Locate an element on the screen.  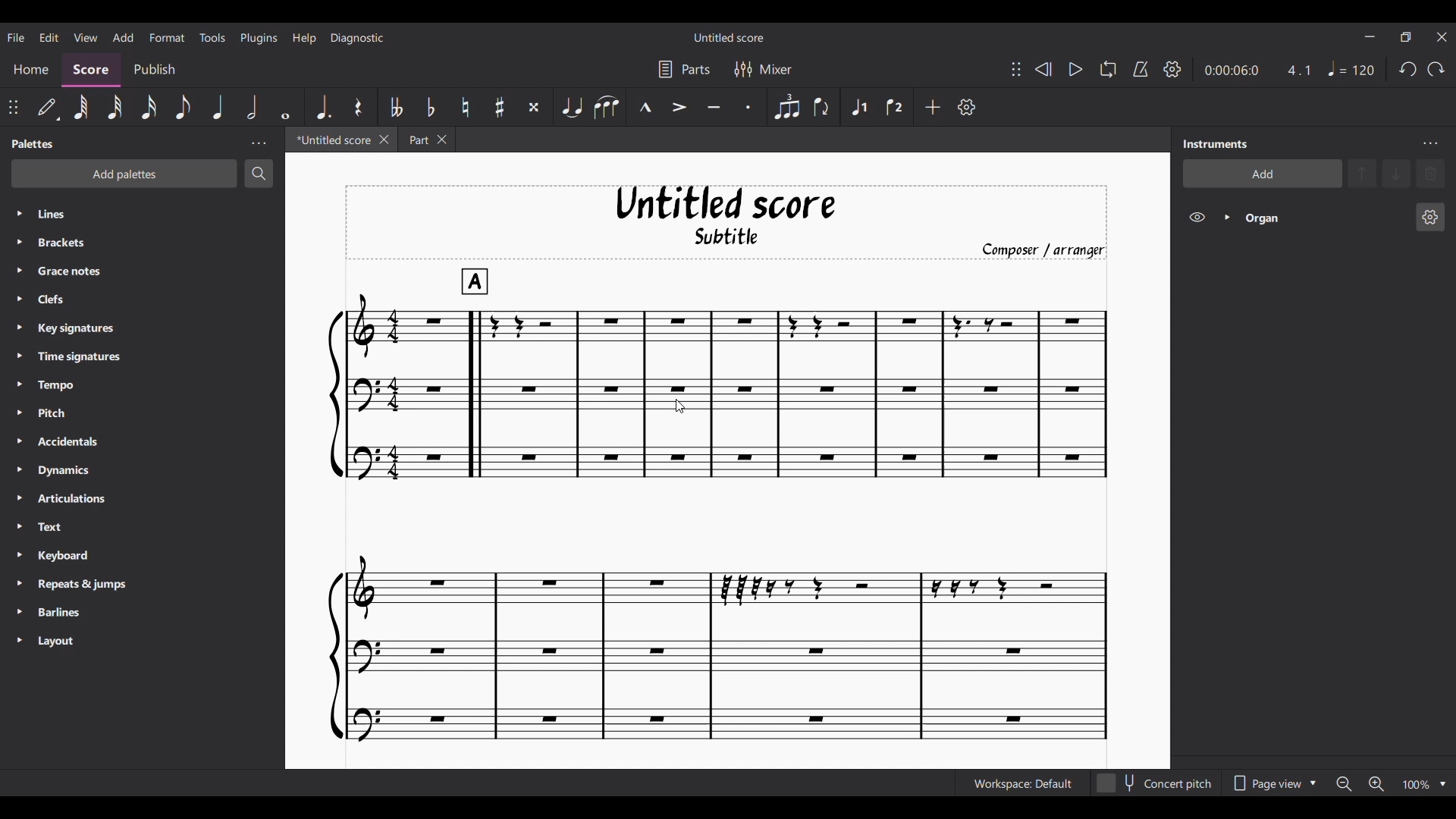
Panel settings is located at coordinates (259, 144).